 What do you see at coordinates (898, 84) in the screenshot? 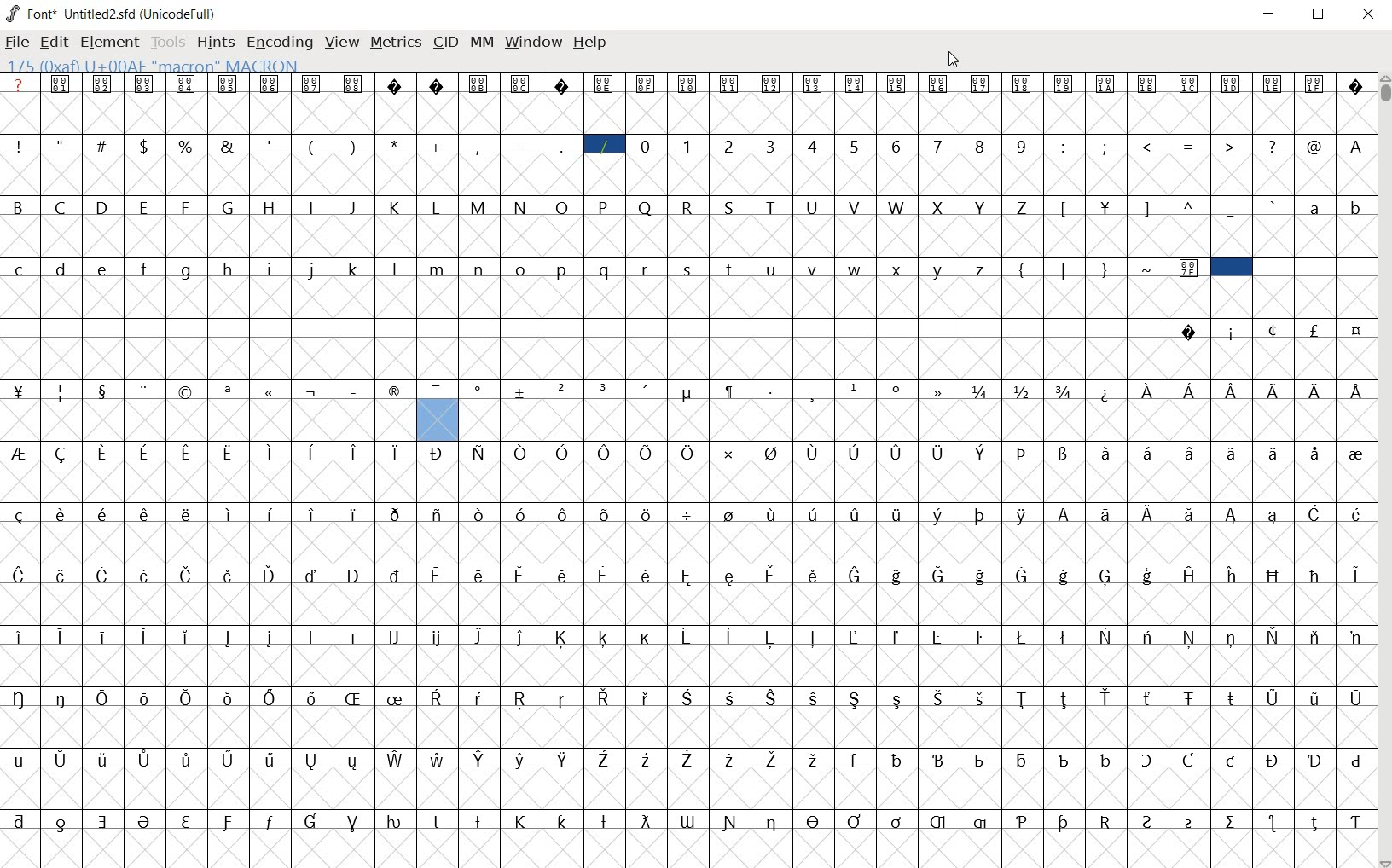
I see `Symbol` at bounding box center [898, 84].